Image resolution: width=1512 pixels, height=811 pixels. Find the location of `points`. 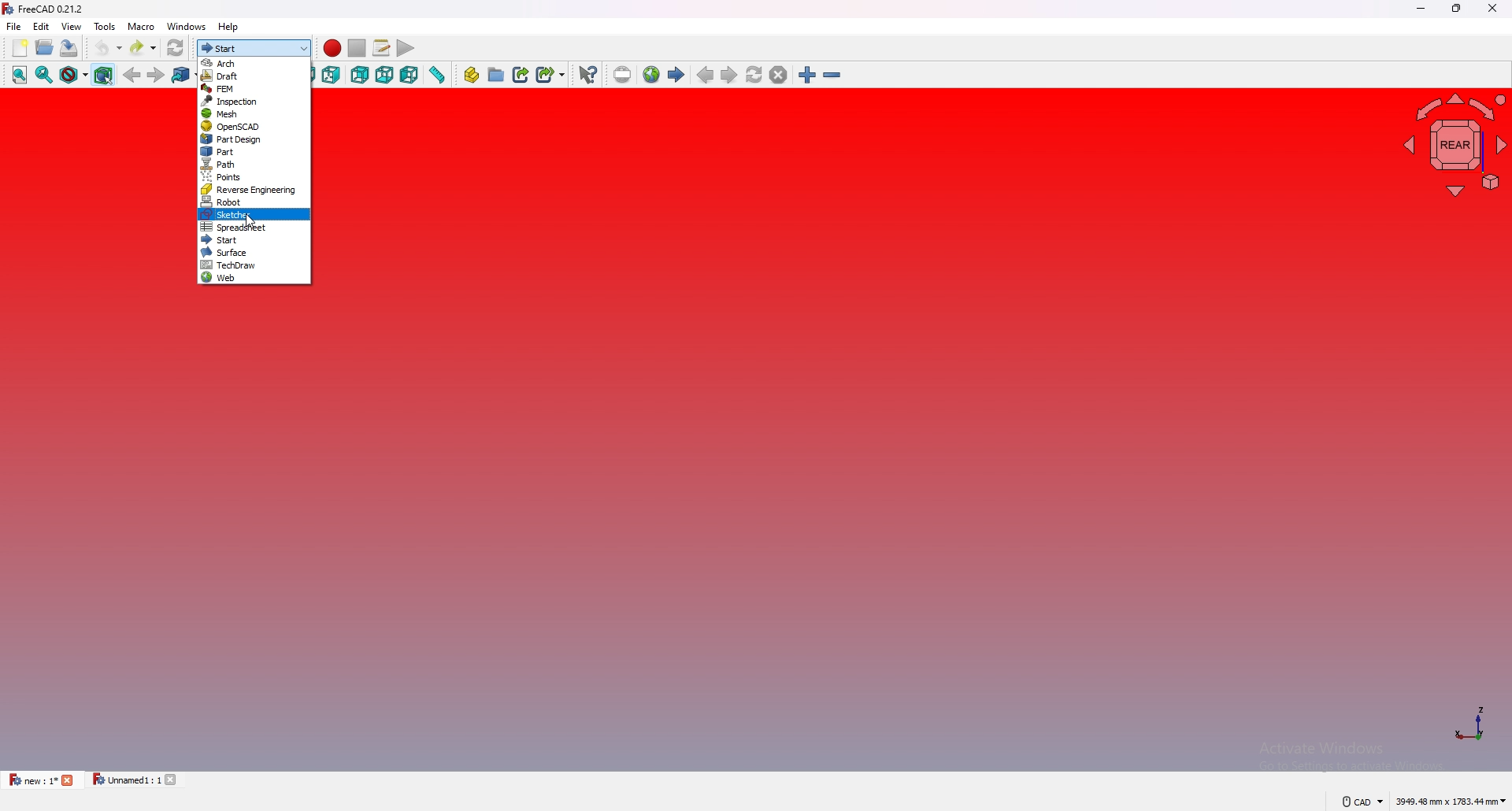

points is located at coordinates (255, 176).